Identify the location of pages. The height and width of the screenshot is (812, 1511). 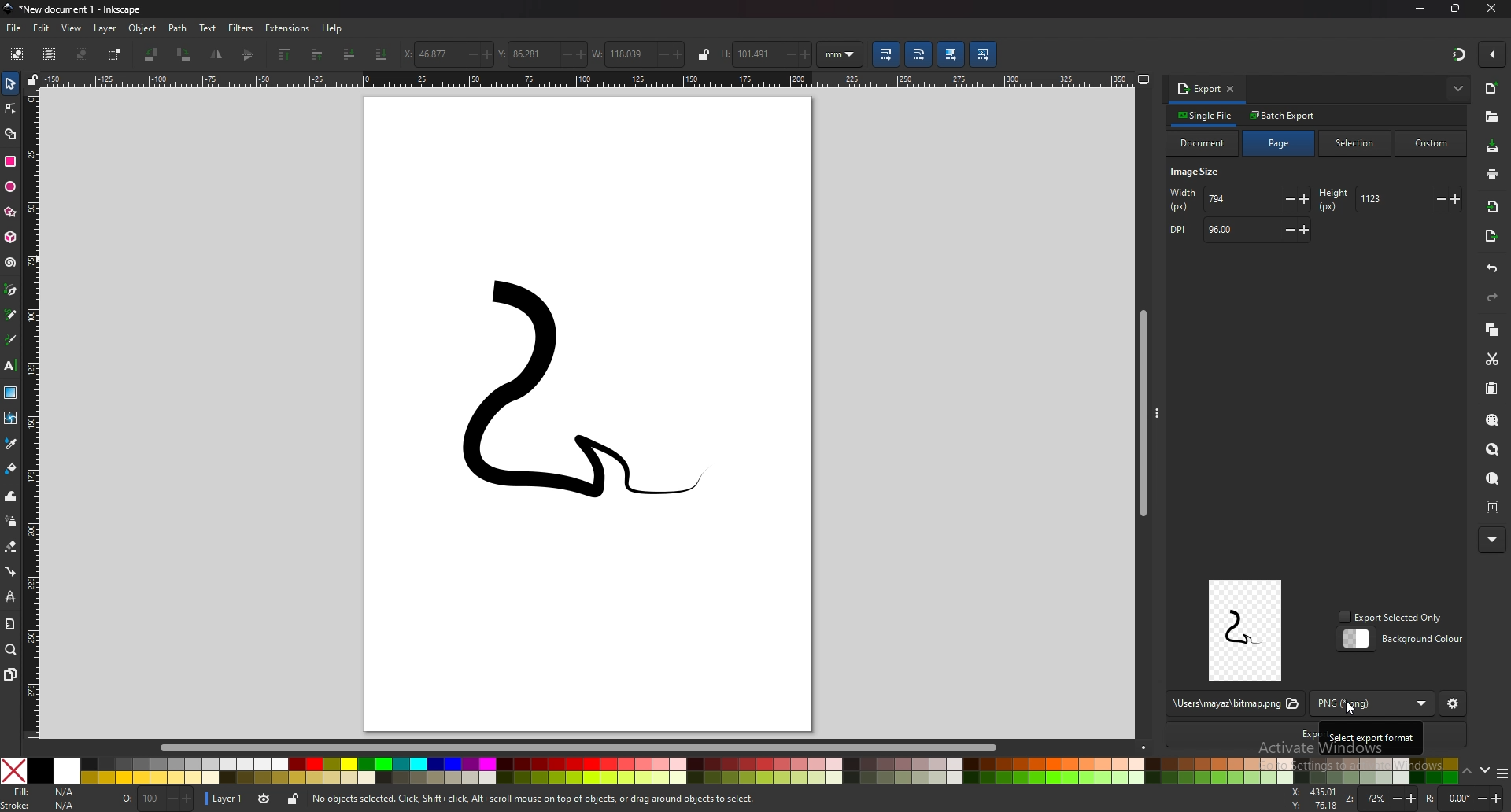
(10, 674).